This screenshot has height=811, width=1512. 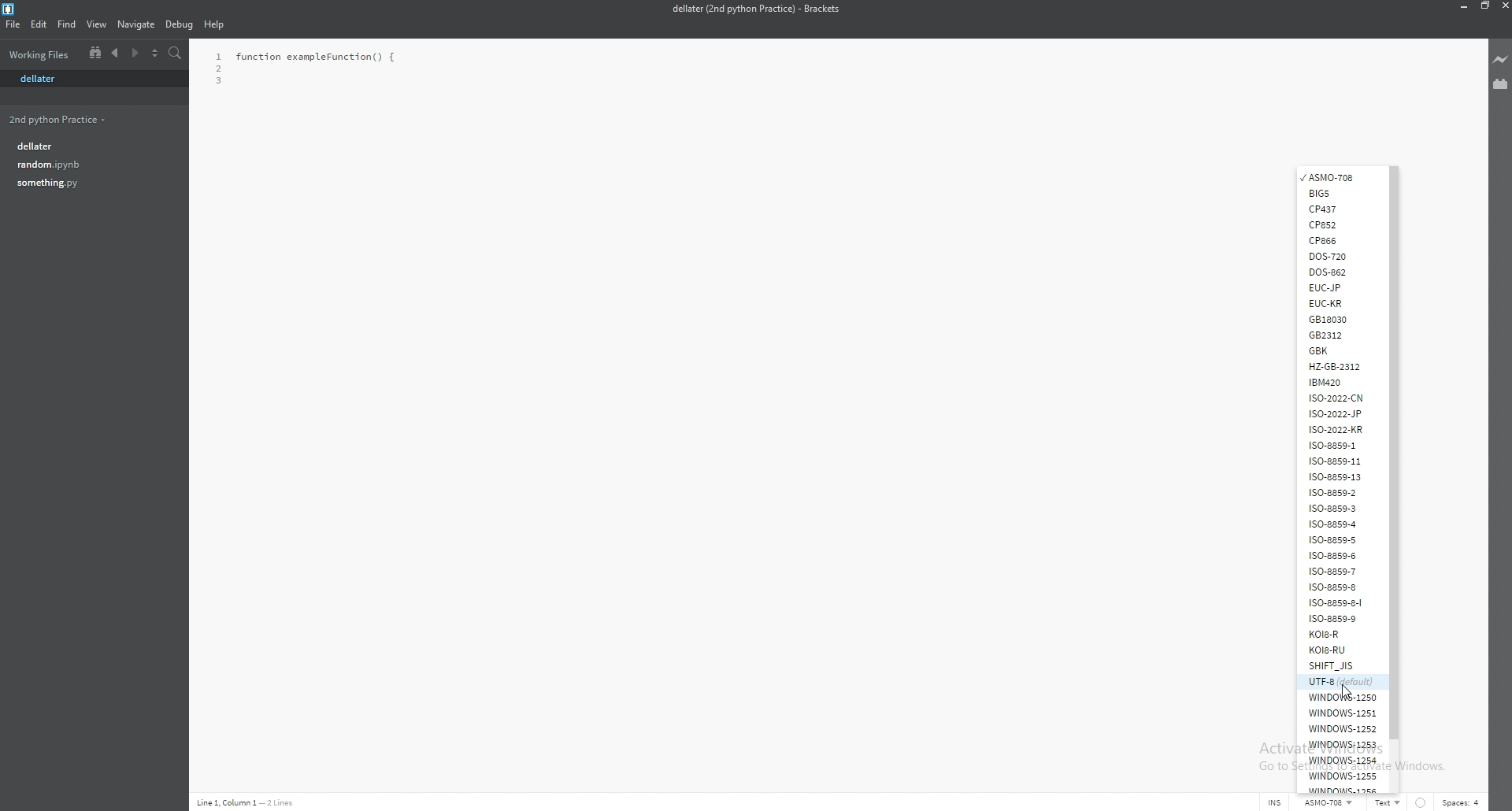 I want to click on split view, so click(x=94, y=54).